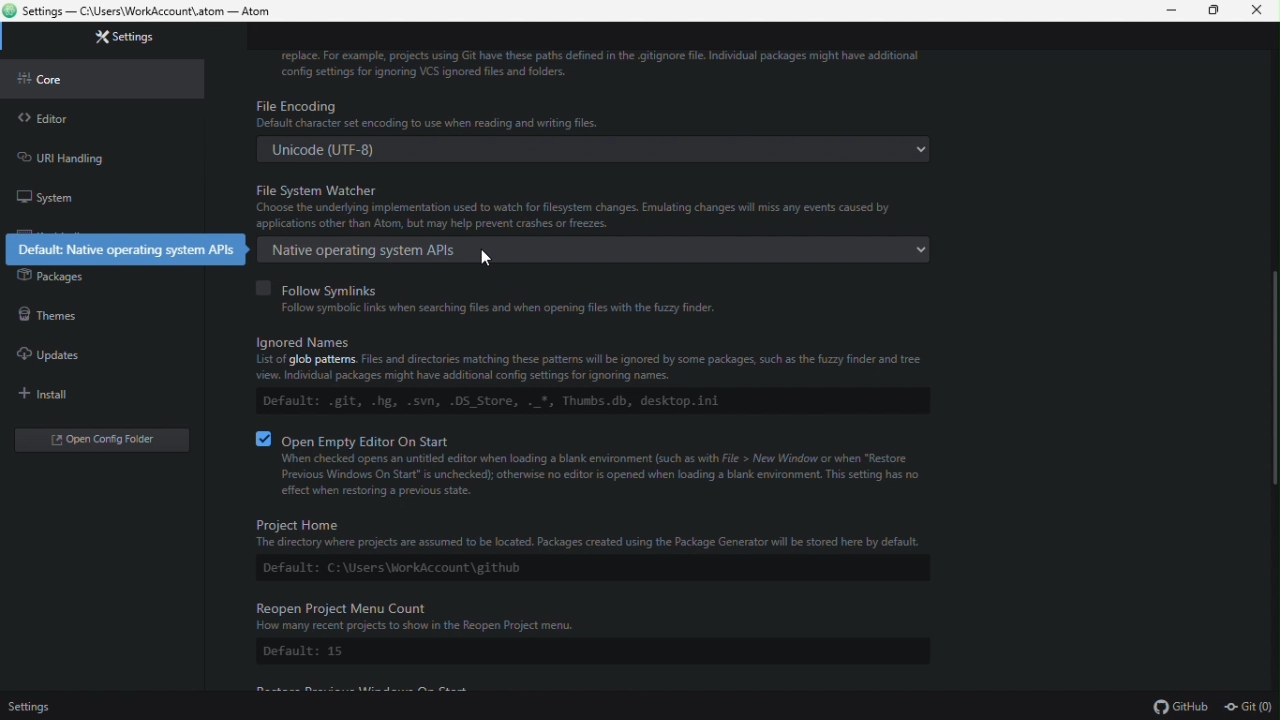 The image size is (1280, 720). What do you see at coordinates (589, 548) in the screenshot?
I see `project home` at bounding box center [589, 548].